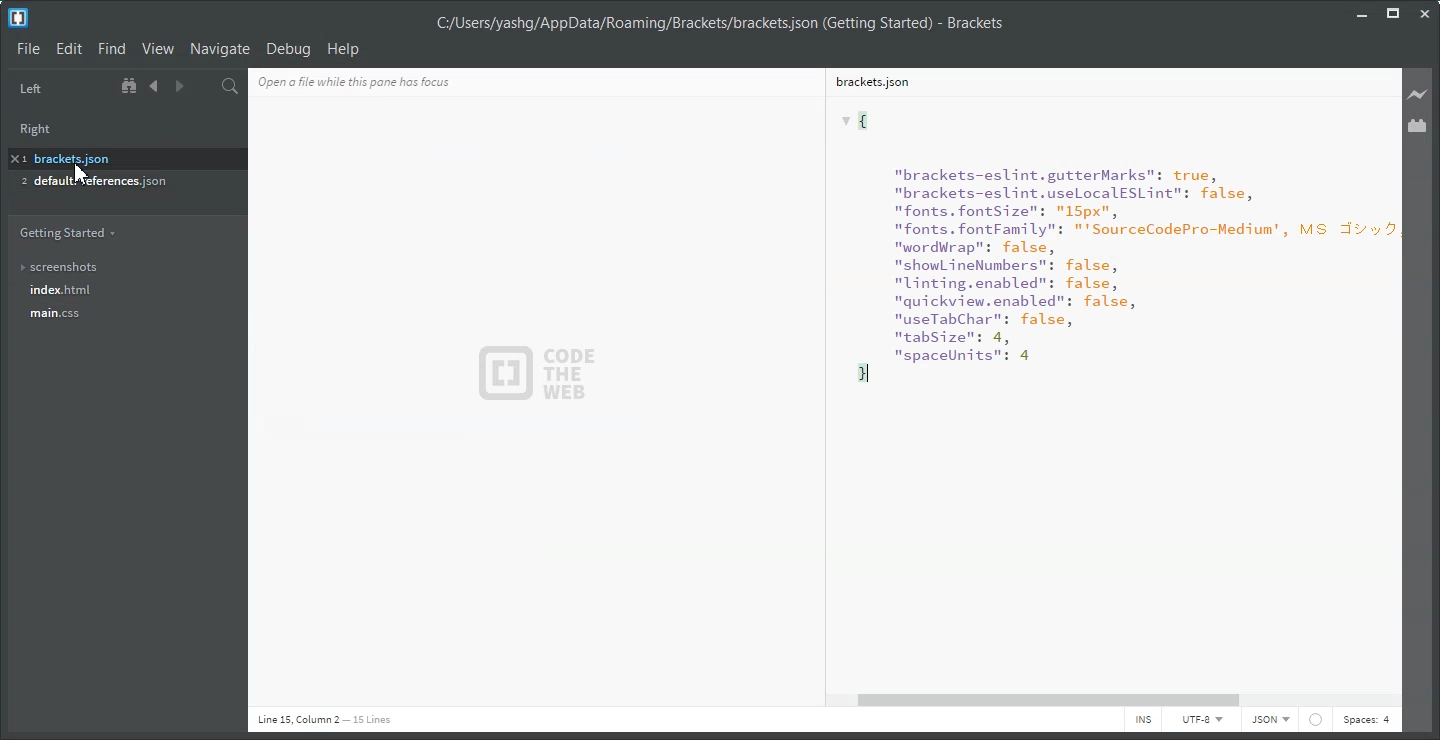  I want to click on HTML, so click(1269, 721).